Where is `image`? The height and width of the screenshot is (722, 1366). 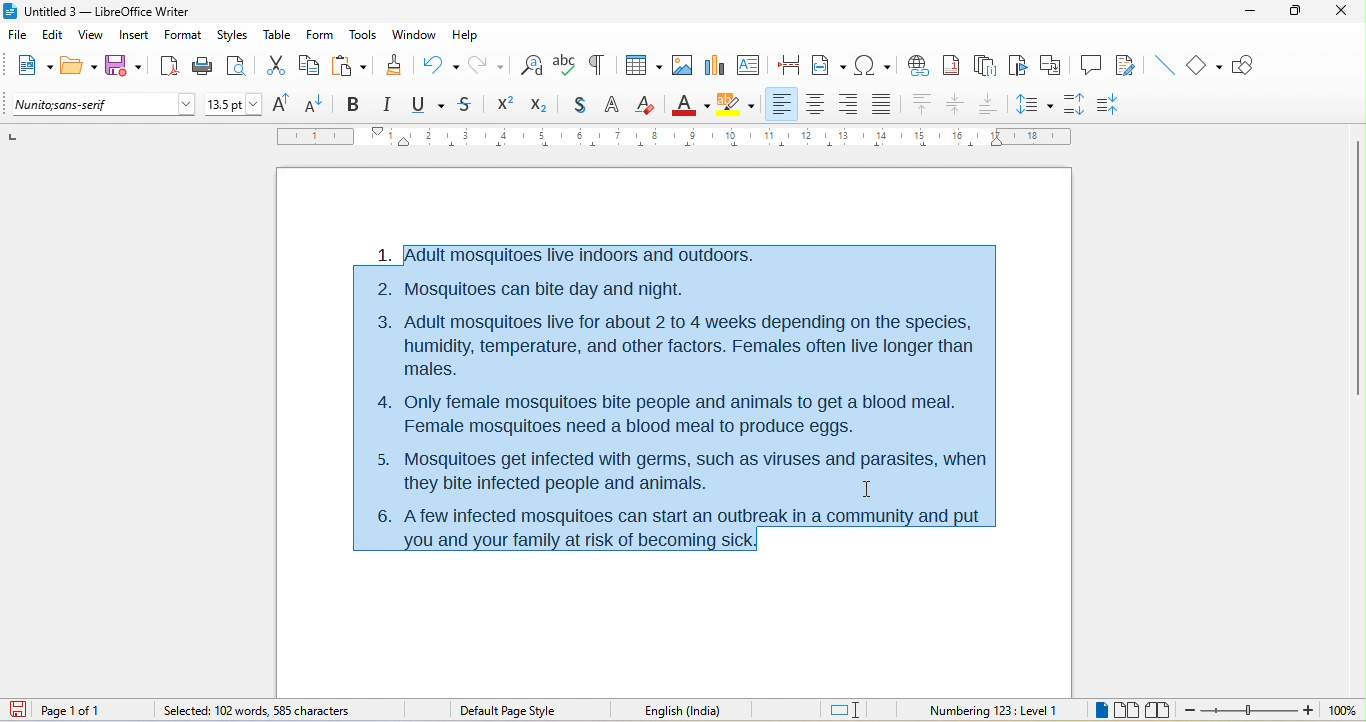 image is located at coordinates (681, 67).